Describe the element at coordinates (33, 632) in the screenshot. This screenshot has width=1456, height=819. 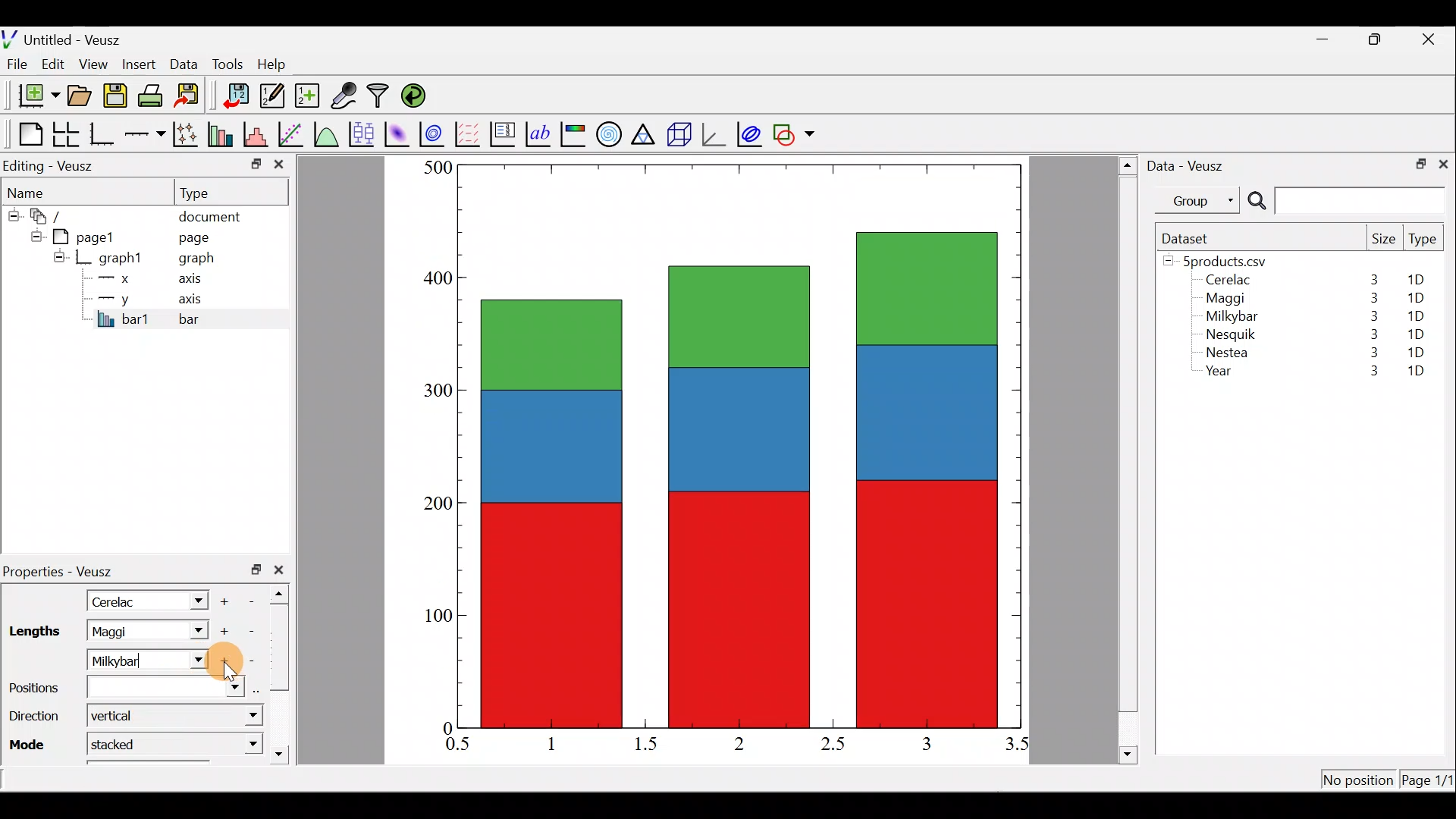
I see `Lengths` at that location.